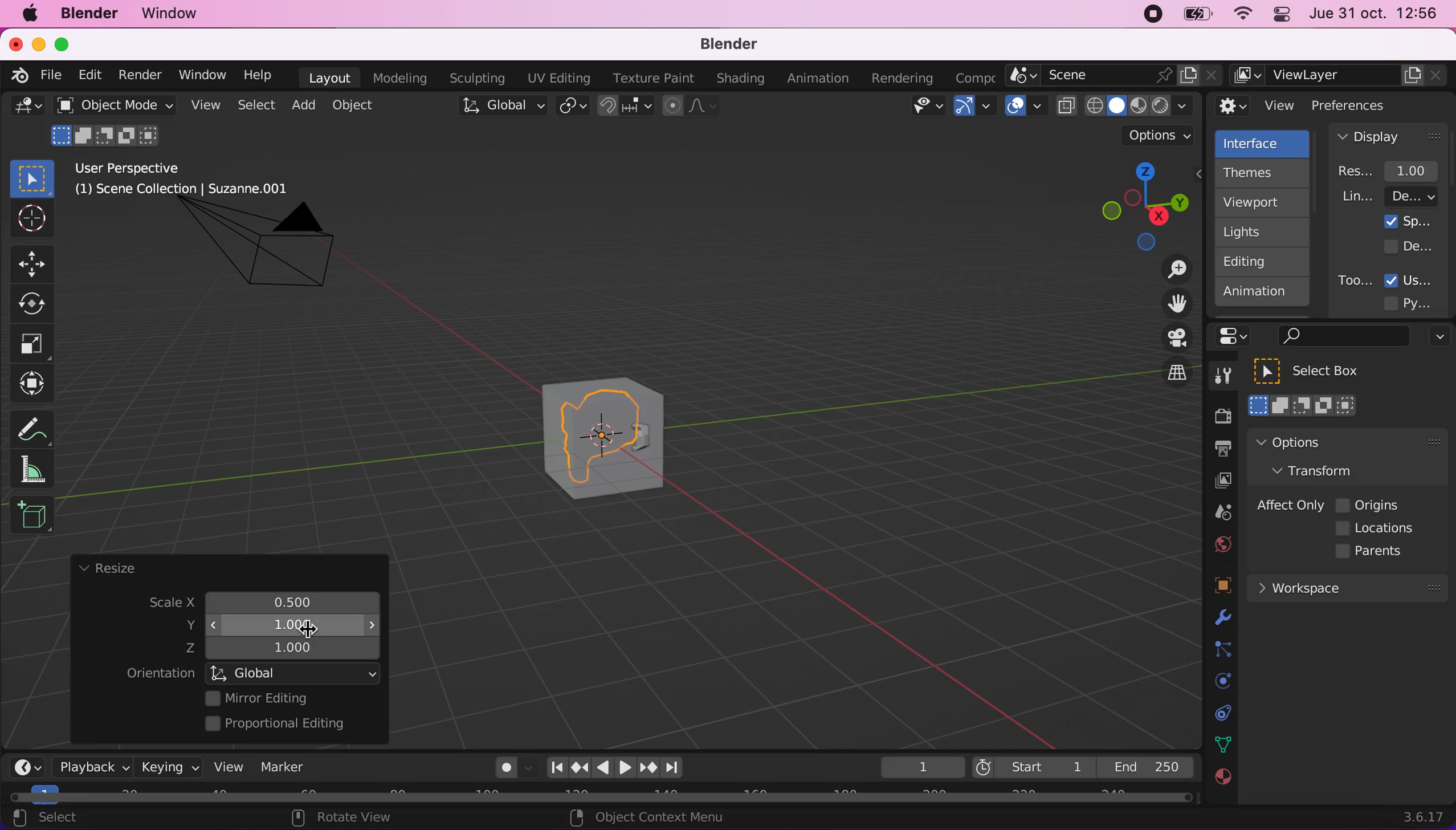 The height and width of the screenshot is (830, 1456). Describe the element at coordinates (474, 78) in the screenshot. I see `sculpting` at that location.